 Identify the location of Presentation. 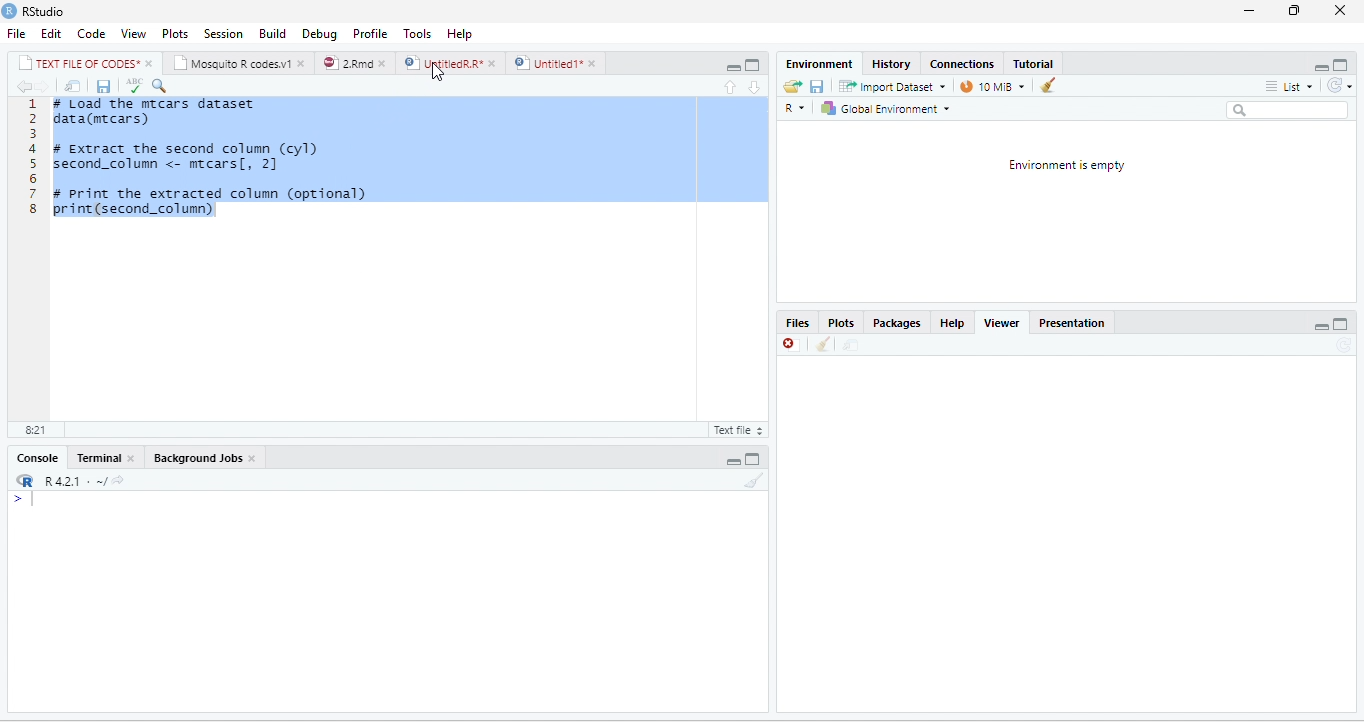
(1077, 323).